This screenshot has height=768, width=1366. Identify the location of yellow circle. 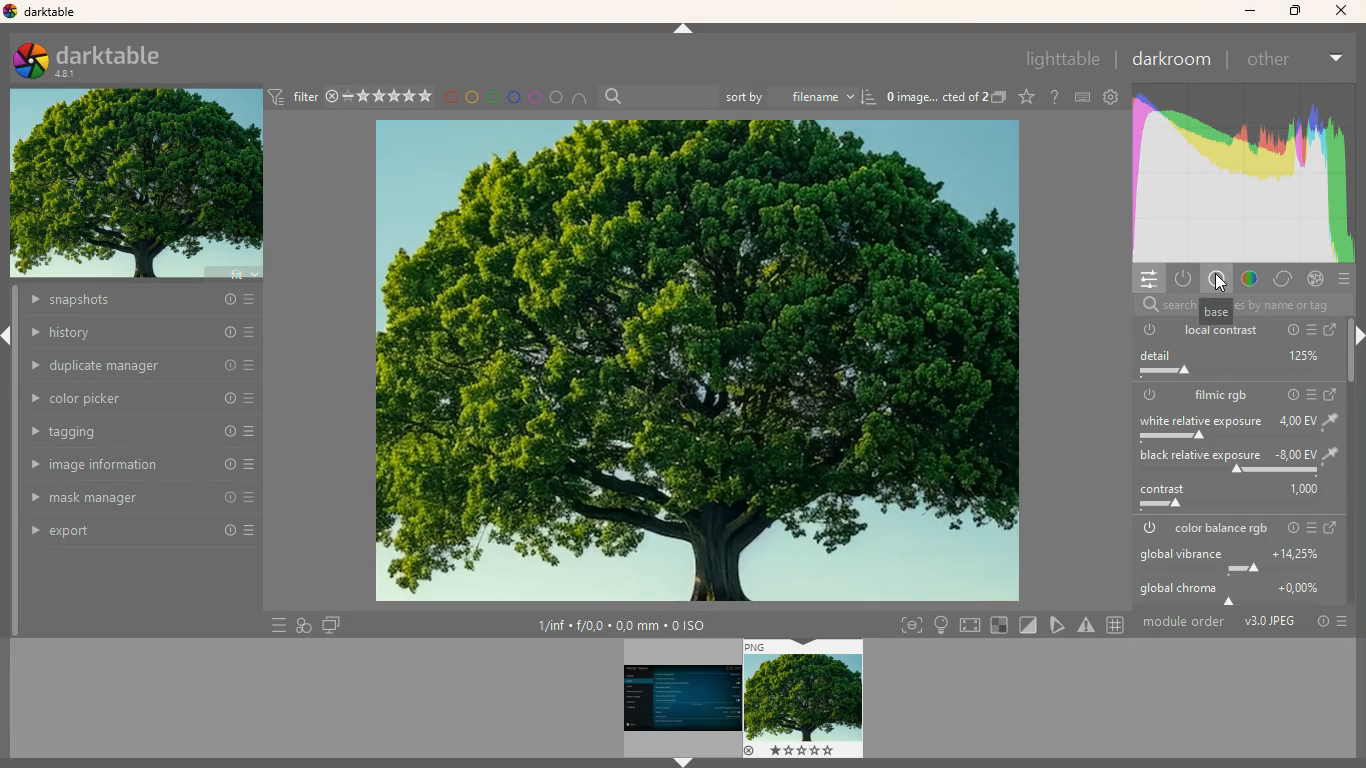
(470, 96).